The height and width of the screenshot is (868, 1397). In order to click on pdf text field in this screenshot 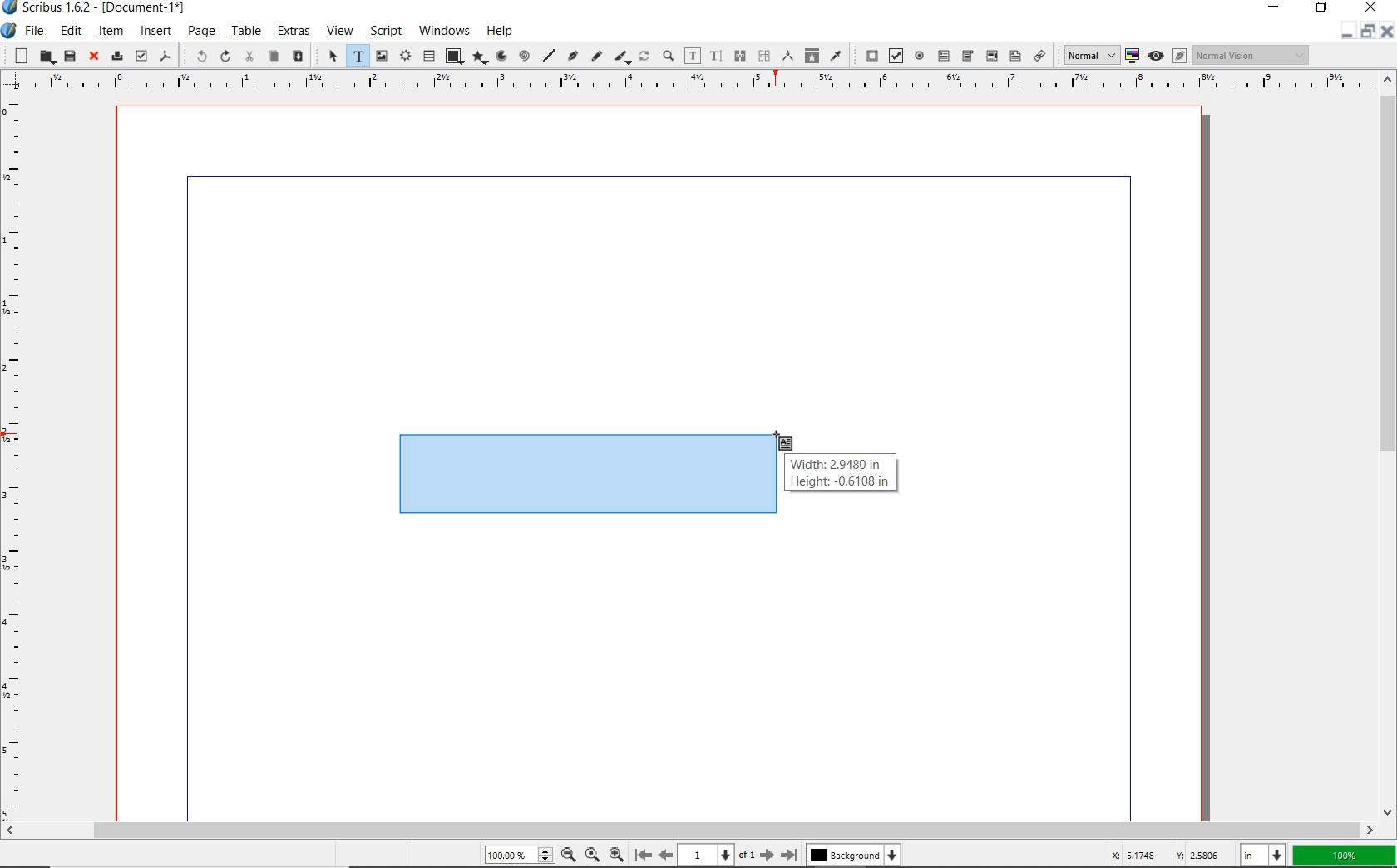, I will do `click(943, 55)`.